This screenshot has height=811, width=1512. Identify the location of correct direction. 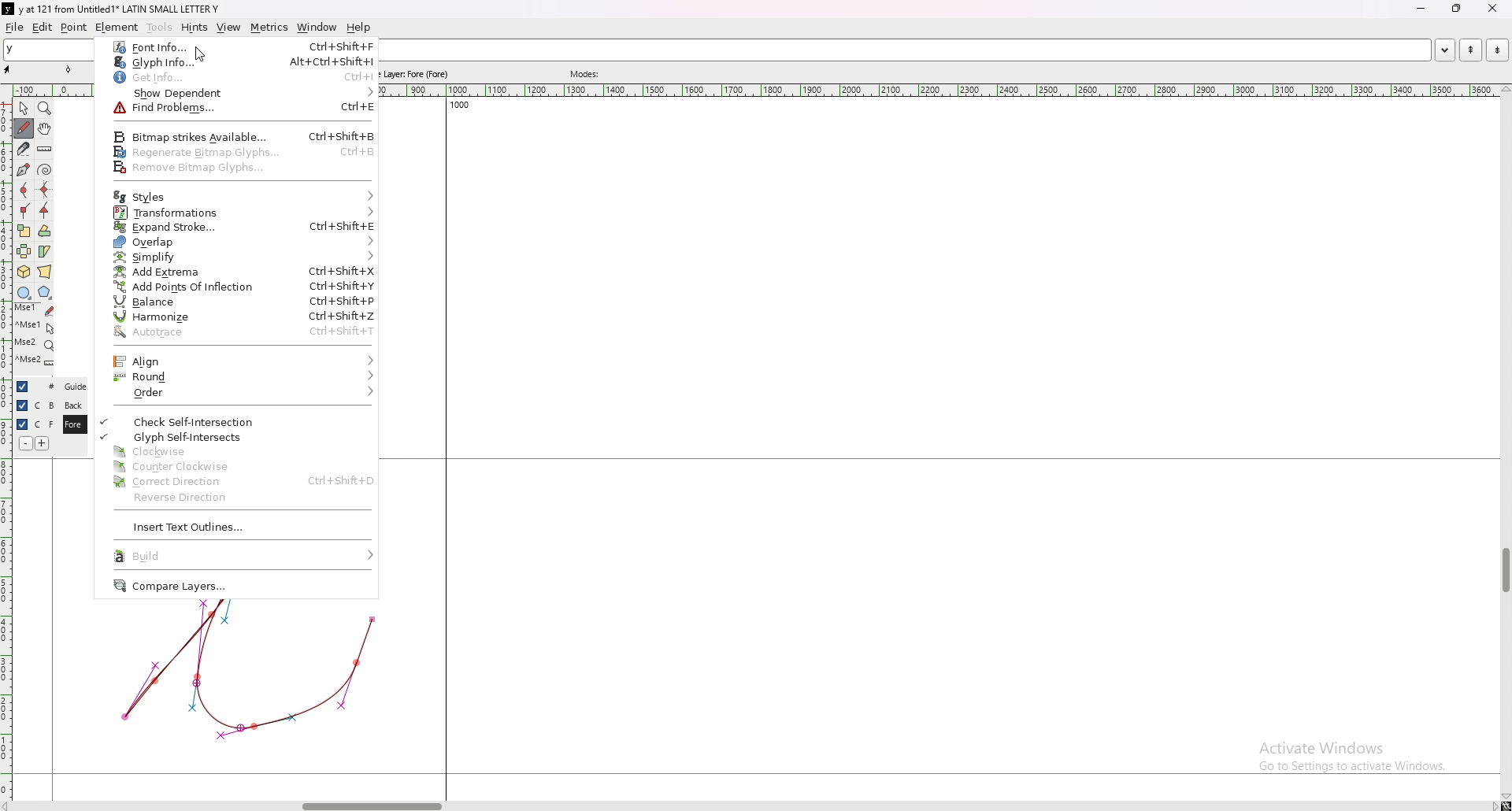
(241, 481).